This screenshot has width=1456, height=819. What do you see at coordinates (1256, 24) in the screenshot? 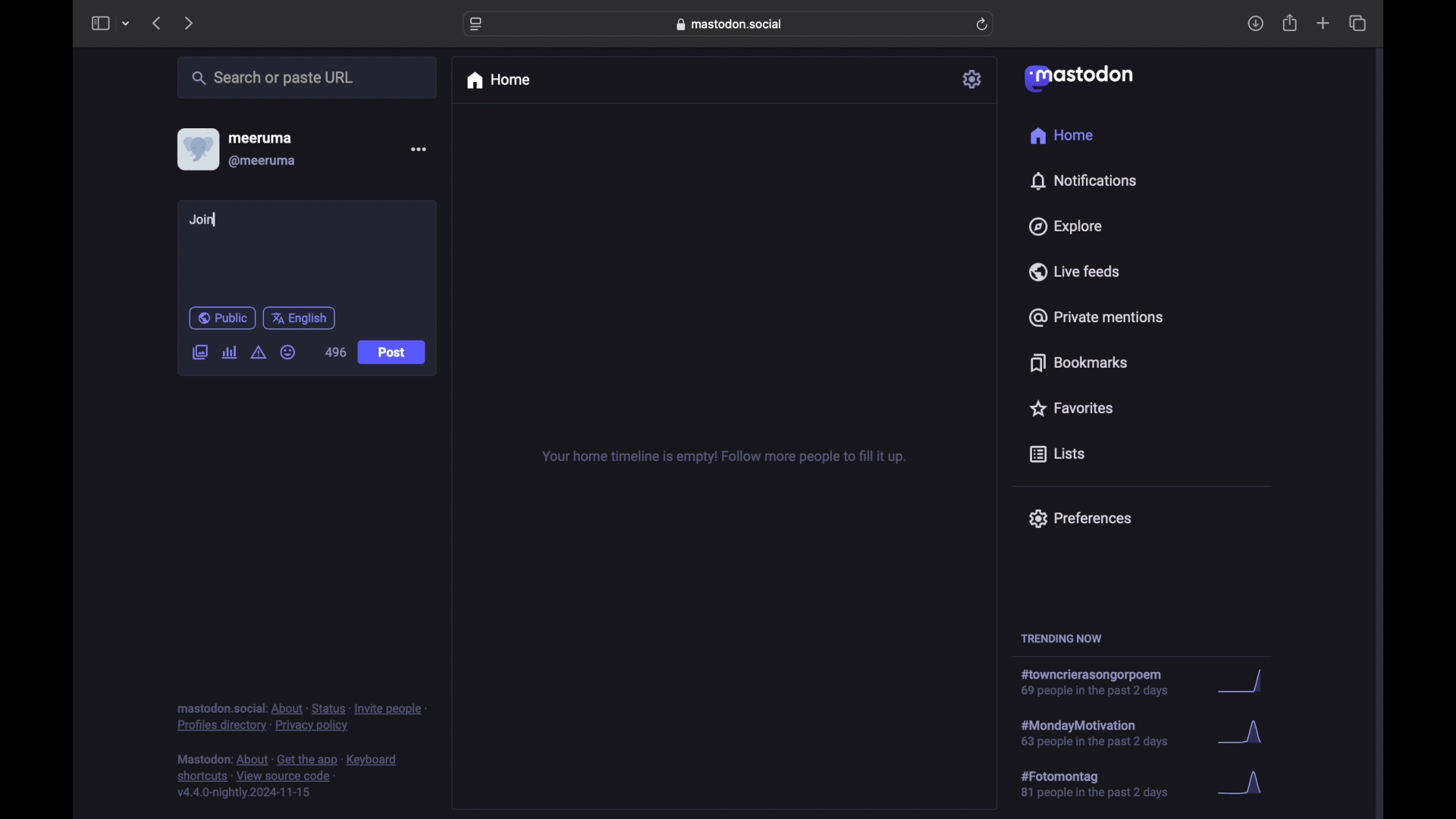
I see `download` at bounding box center [1256, 24].